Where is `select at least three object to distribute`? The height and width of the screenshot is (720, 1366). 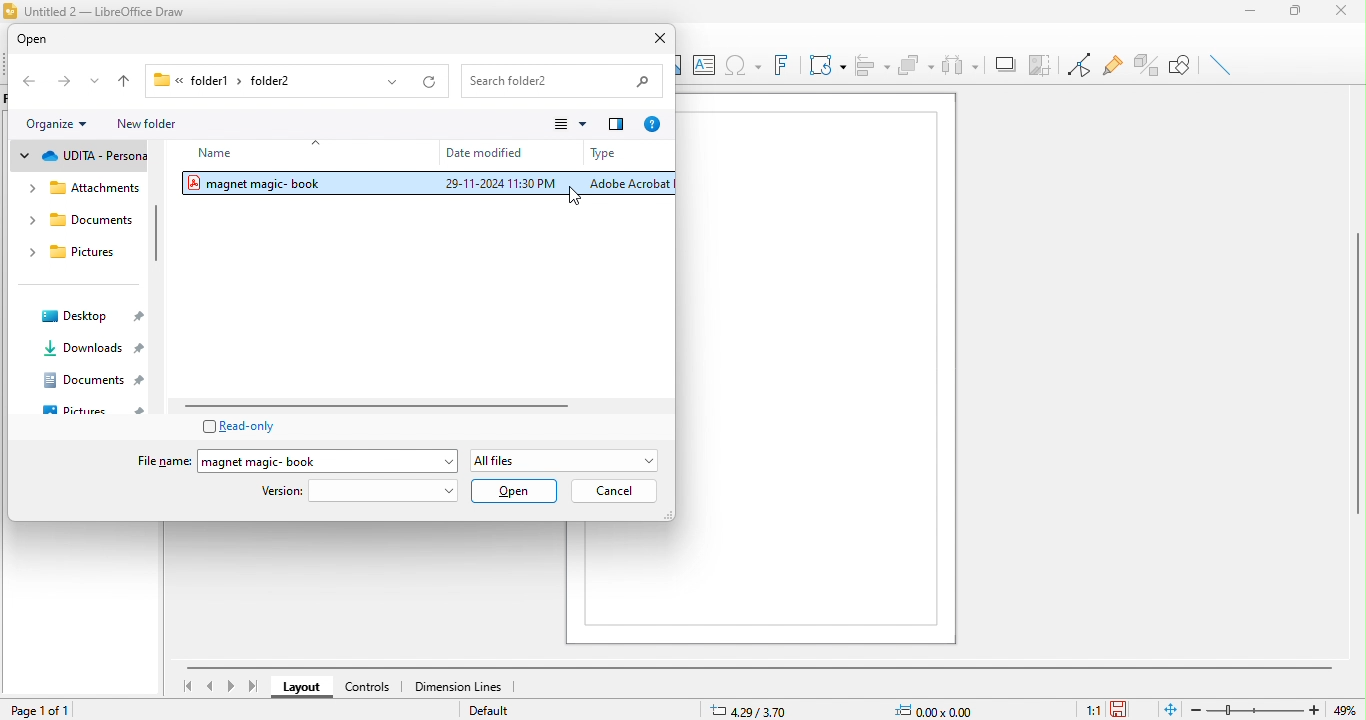 select at least three object to distribute is located at coordinates (962, 63).